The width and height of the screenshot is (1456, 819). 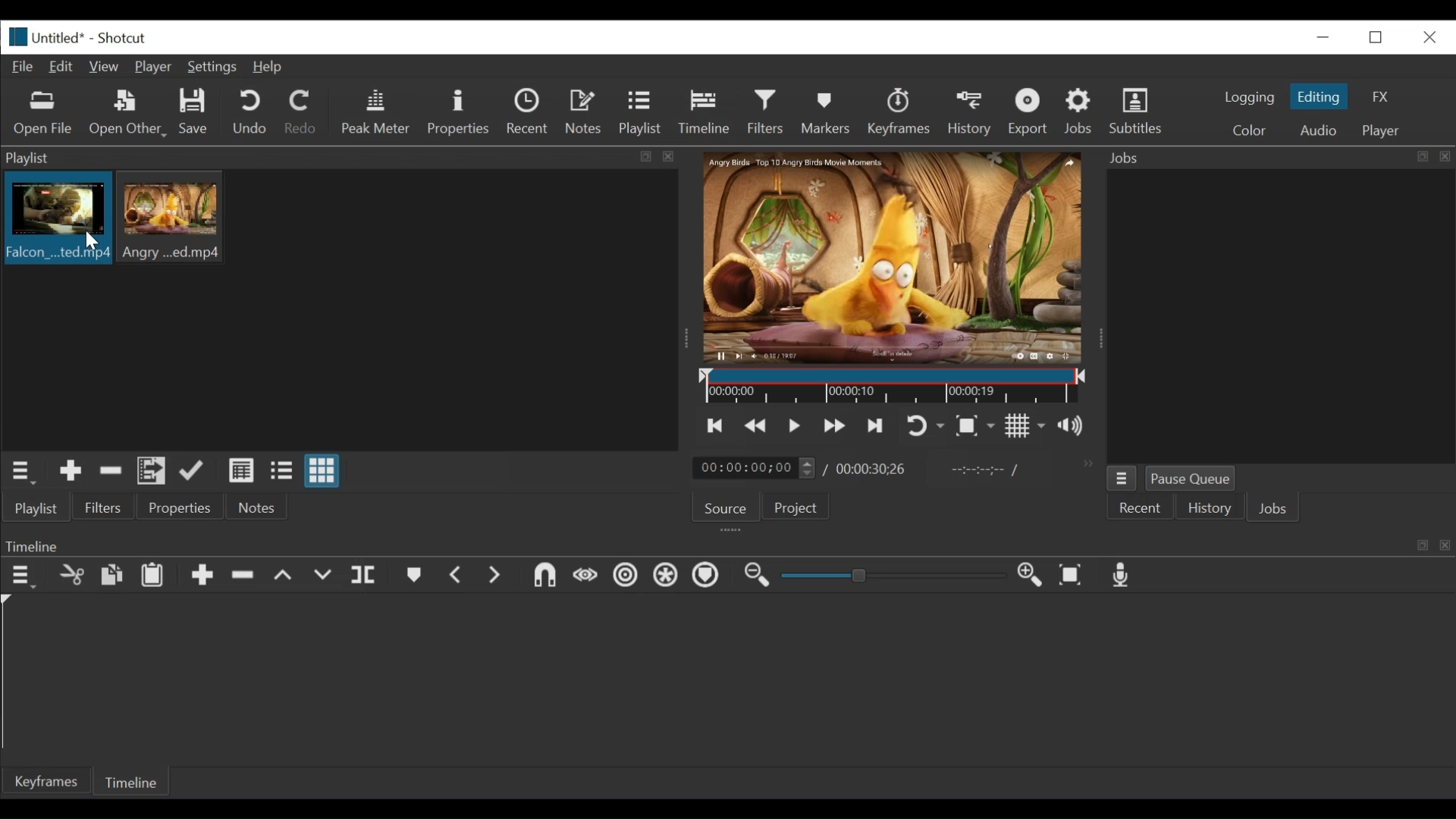 I want to click on Shotcut, so click(x=121, y=39).